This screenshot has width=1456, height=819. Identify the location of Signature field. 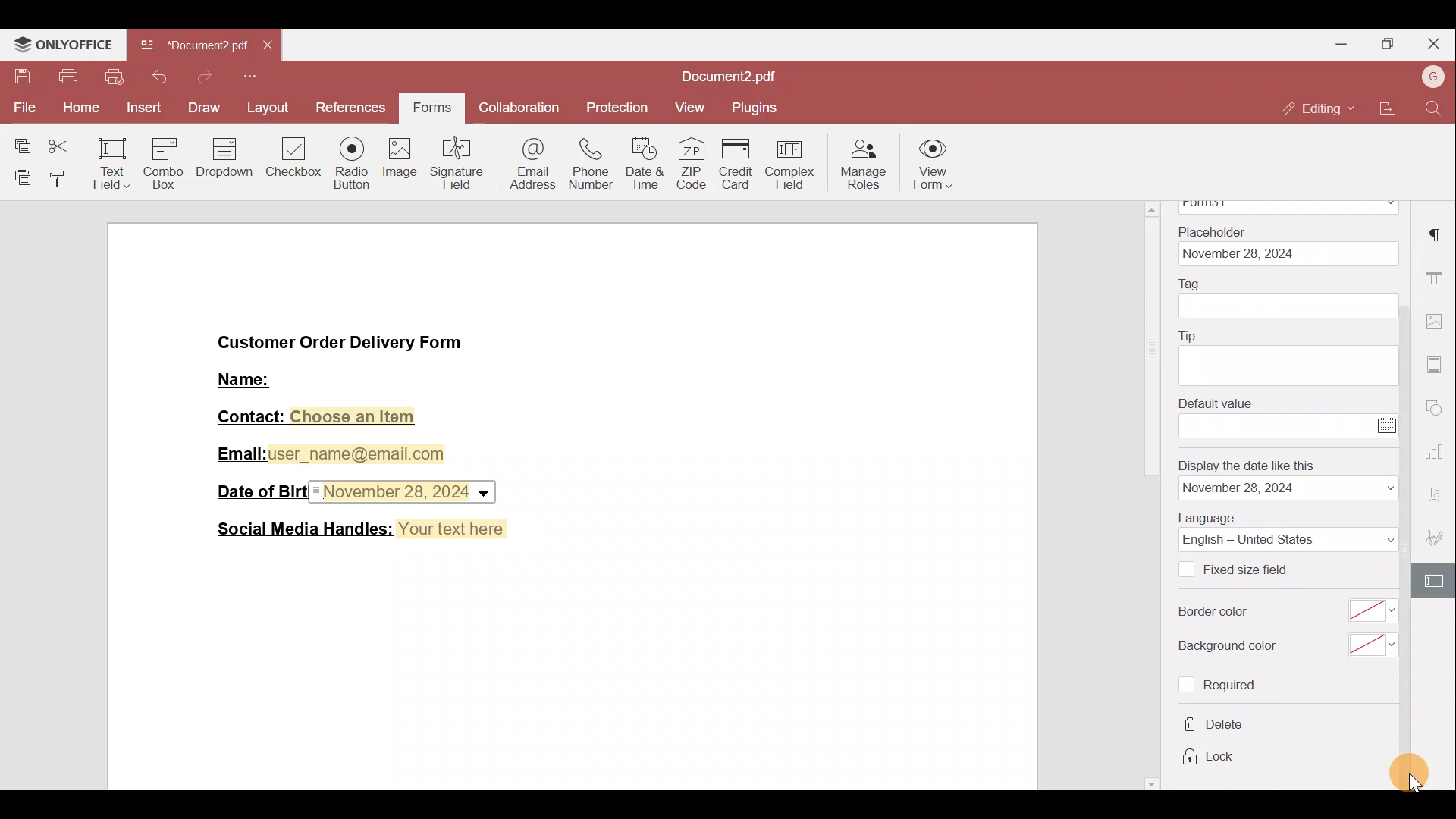
(459, 161).